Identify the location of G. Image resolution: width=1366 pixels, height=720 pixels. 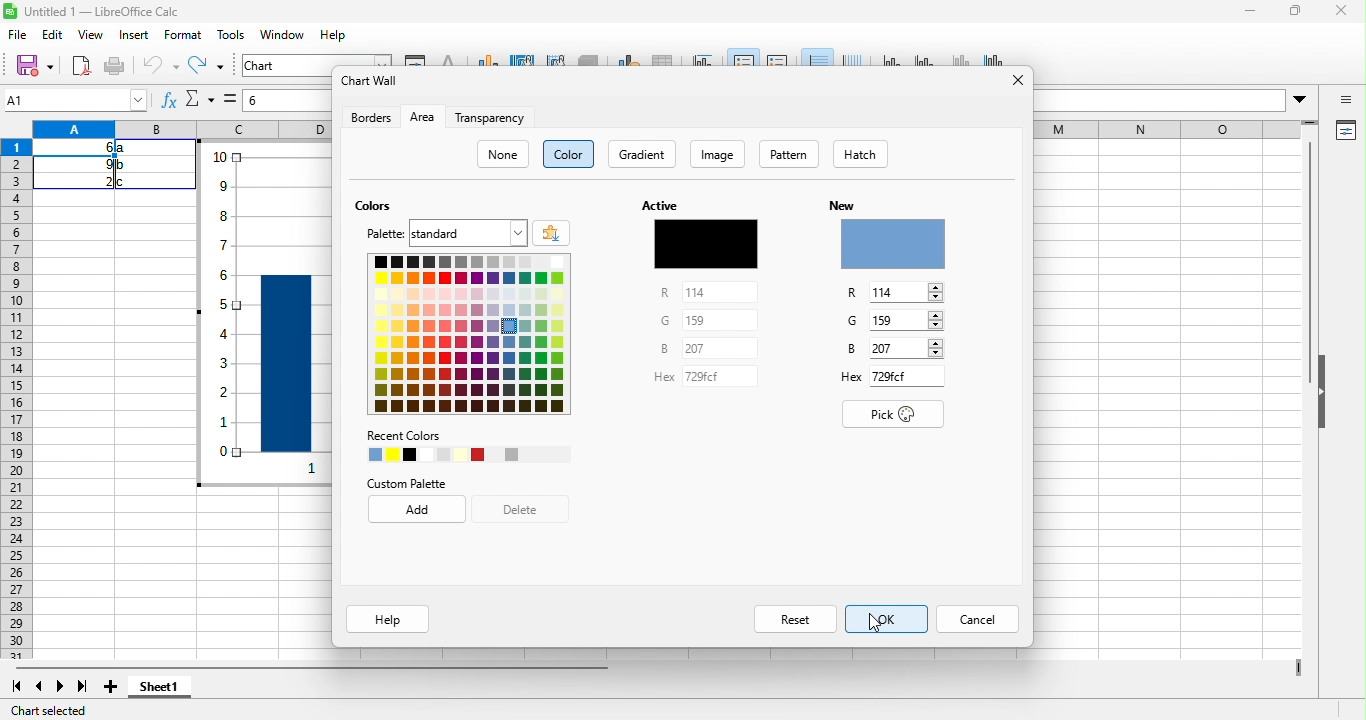
(661, 319).